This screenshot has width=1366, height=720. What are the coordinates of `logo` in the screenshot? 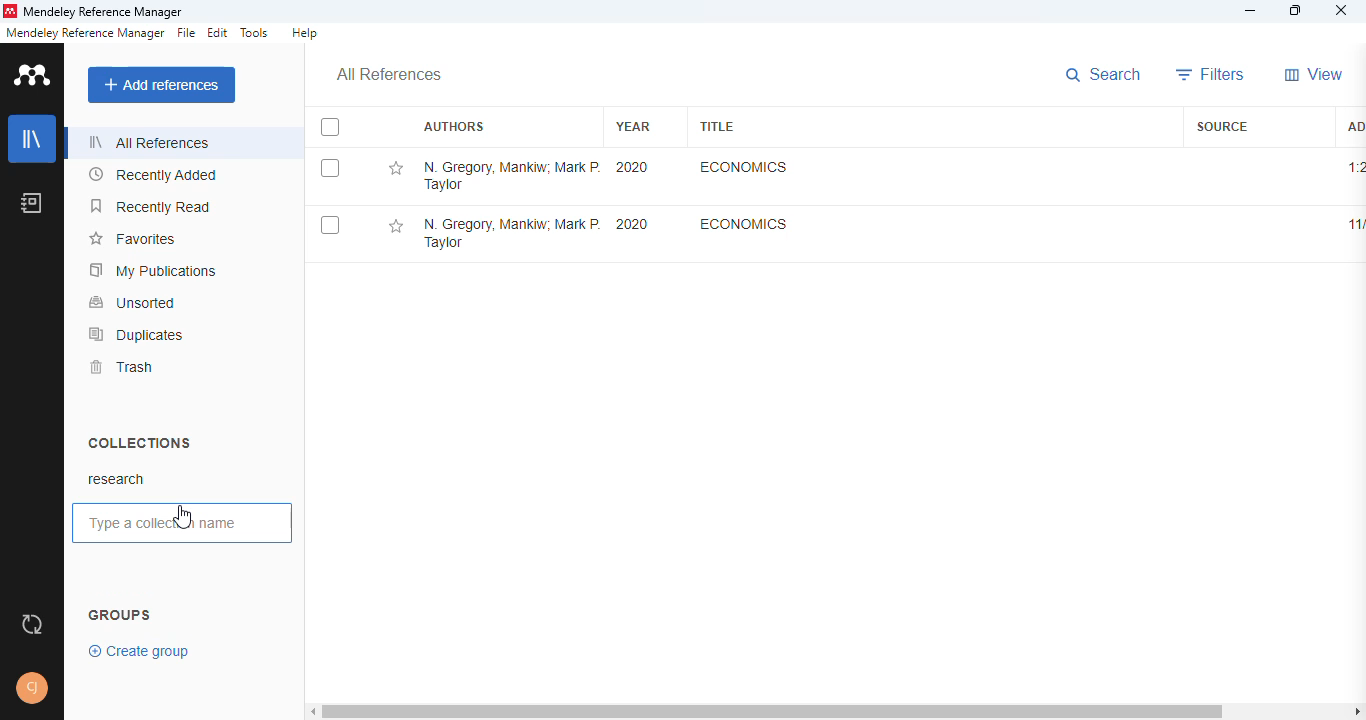 It's located at (34, 74).